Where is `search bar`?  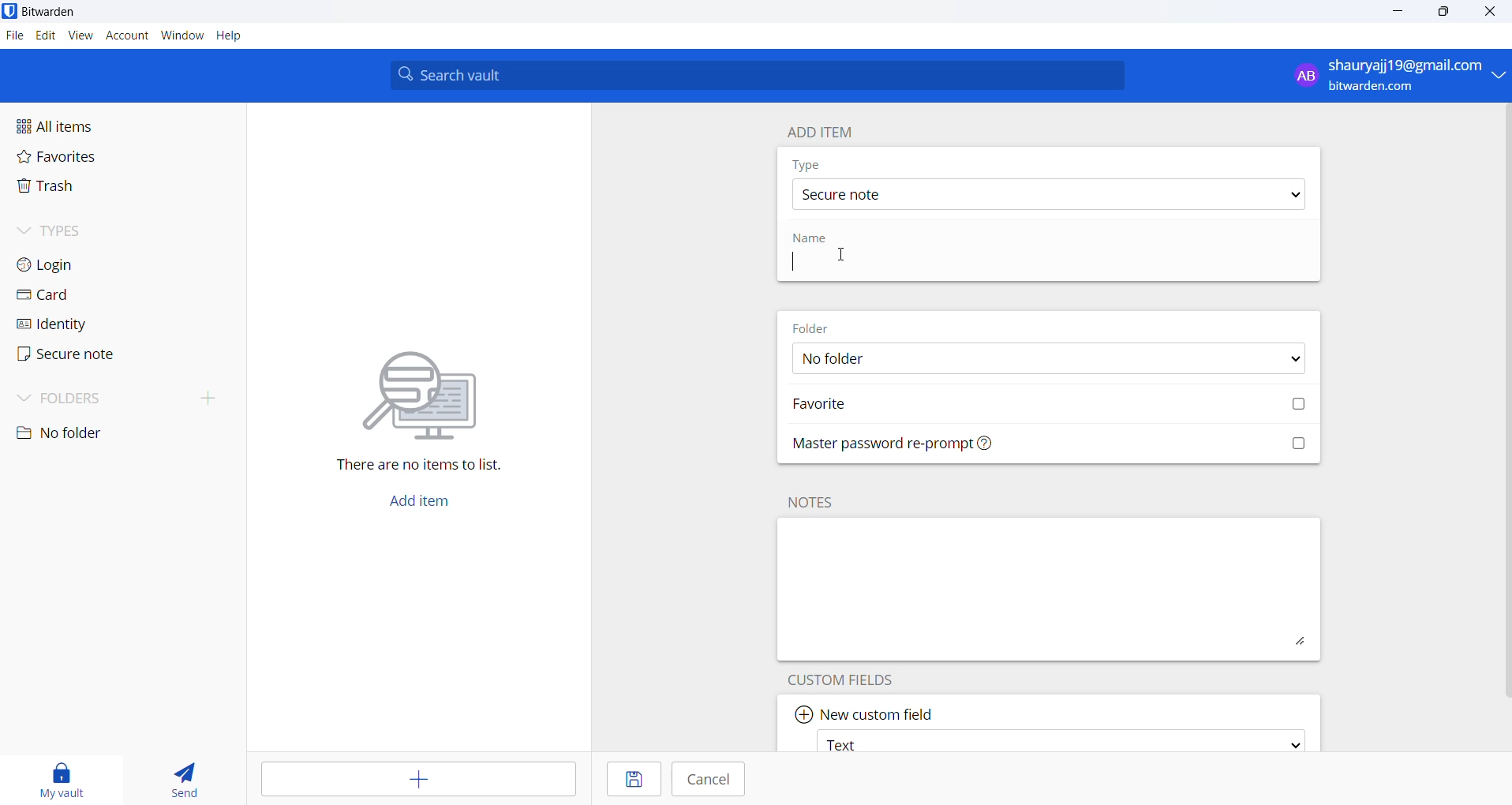 search bar is located at coordinates (757, 75).